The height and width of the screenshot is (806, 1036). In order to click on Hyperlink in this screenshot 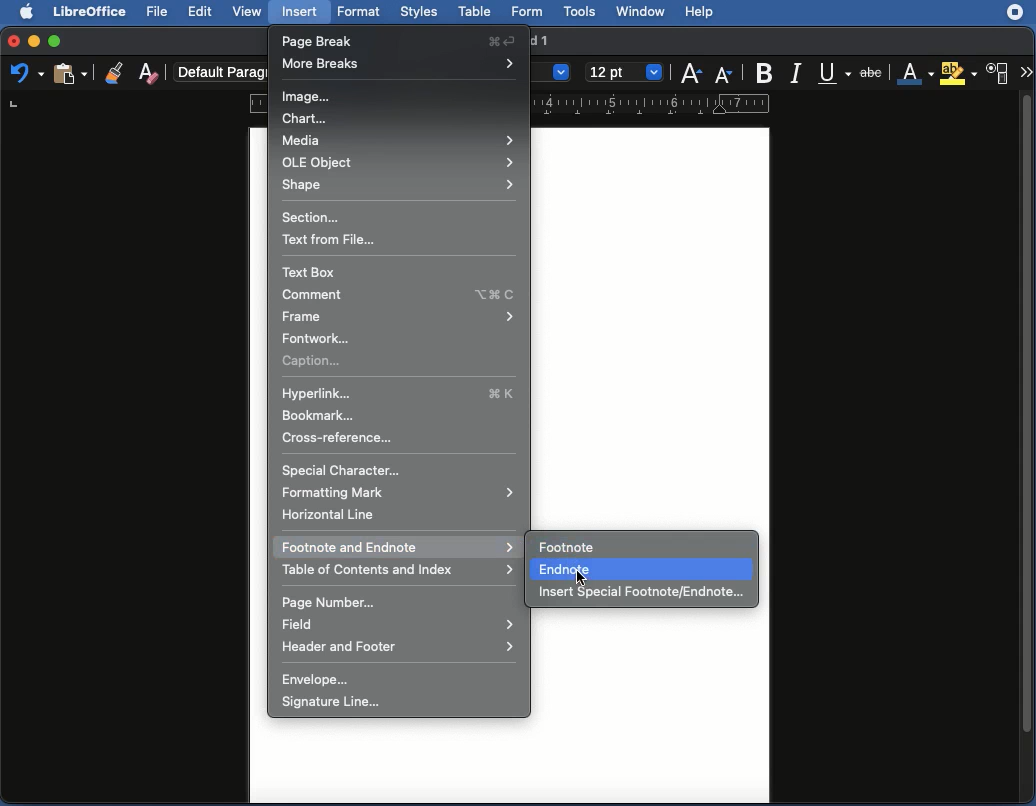, I will do `click(399, 393)`.